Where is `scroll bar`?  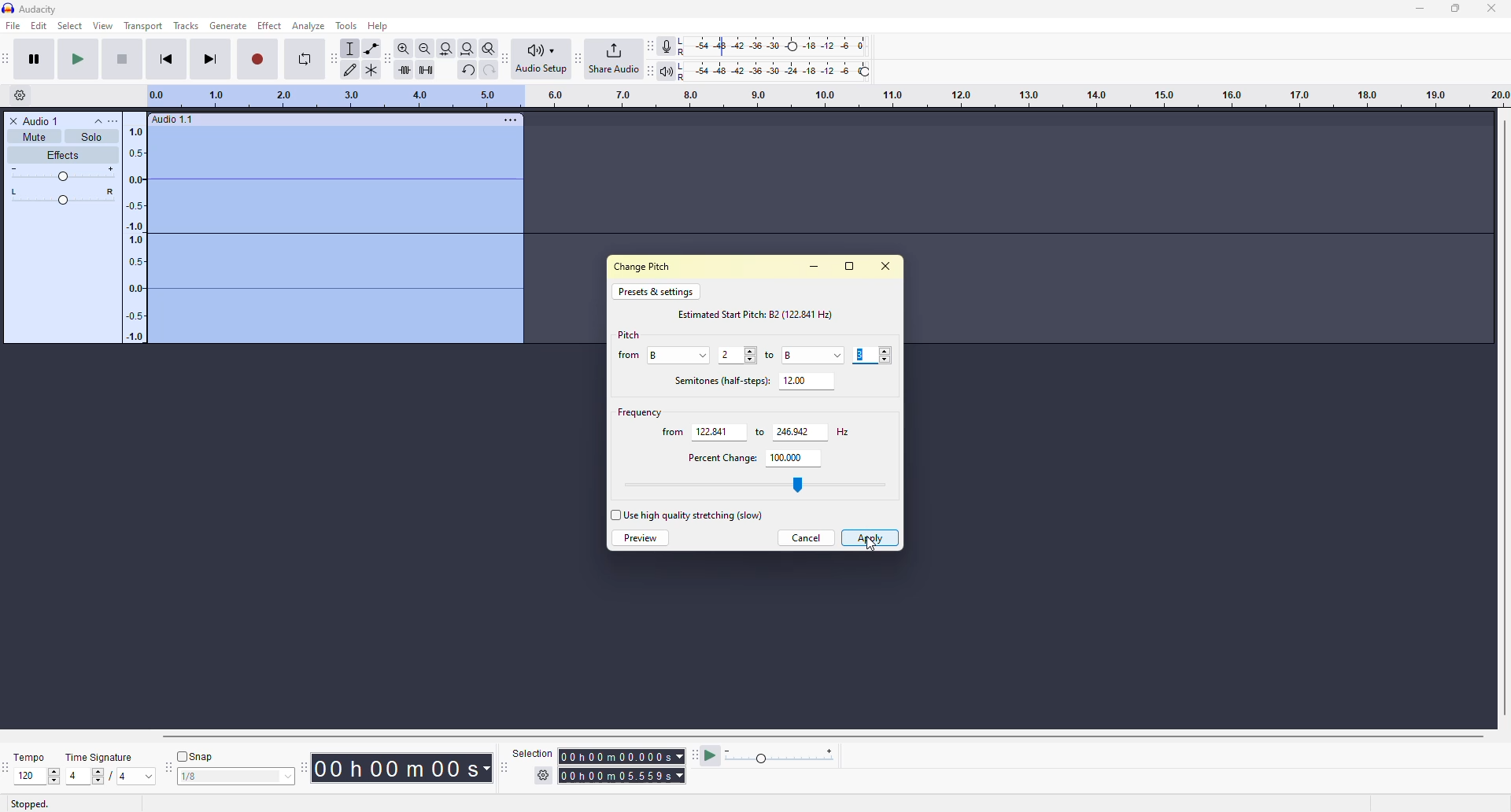 scroll bar is located at coordinates (804, 736).